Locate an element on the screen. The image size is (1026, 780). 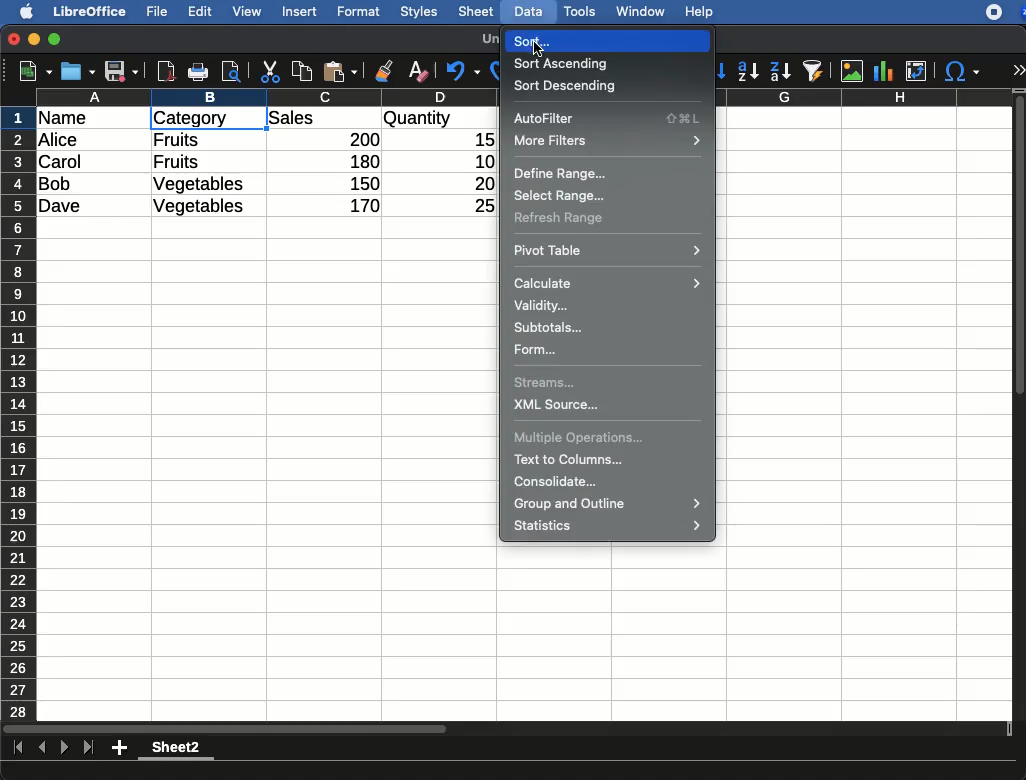
column is located at coordinates (267, 97).